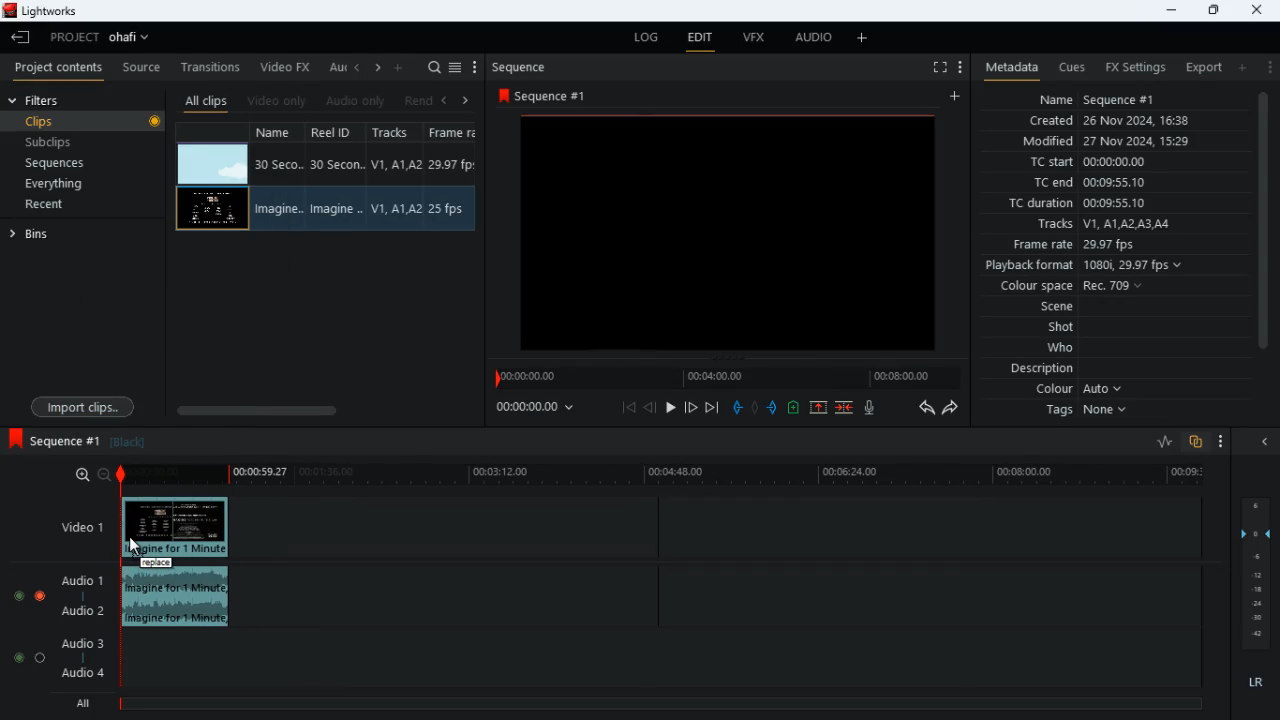 This screenshot has height=720, width=1280. I want to click on V1, A1, Aw, so click(395, 210).